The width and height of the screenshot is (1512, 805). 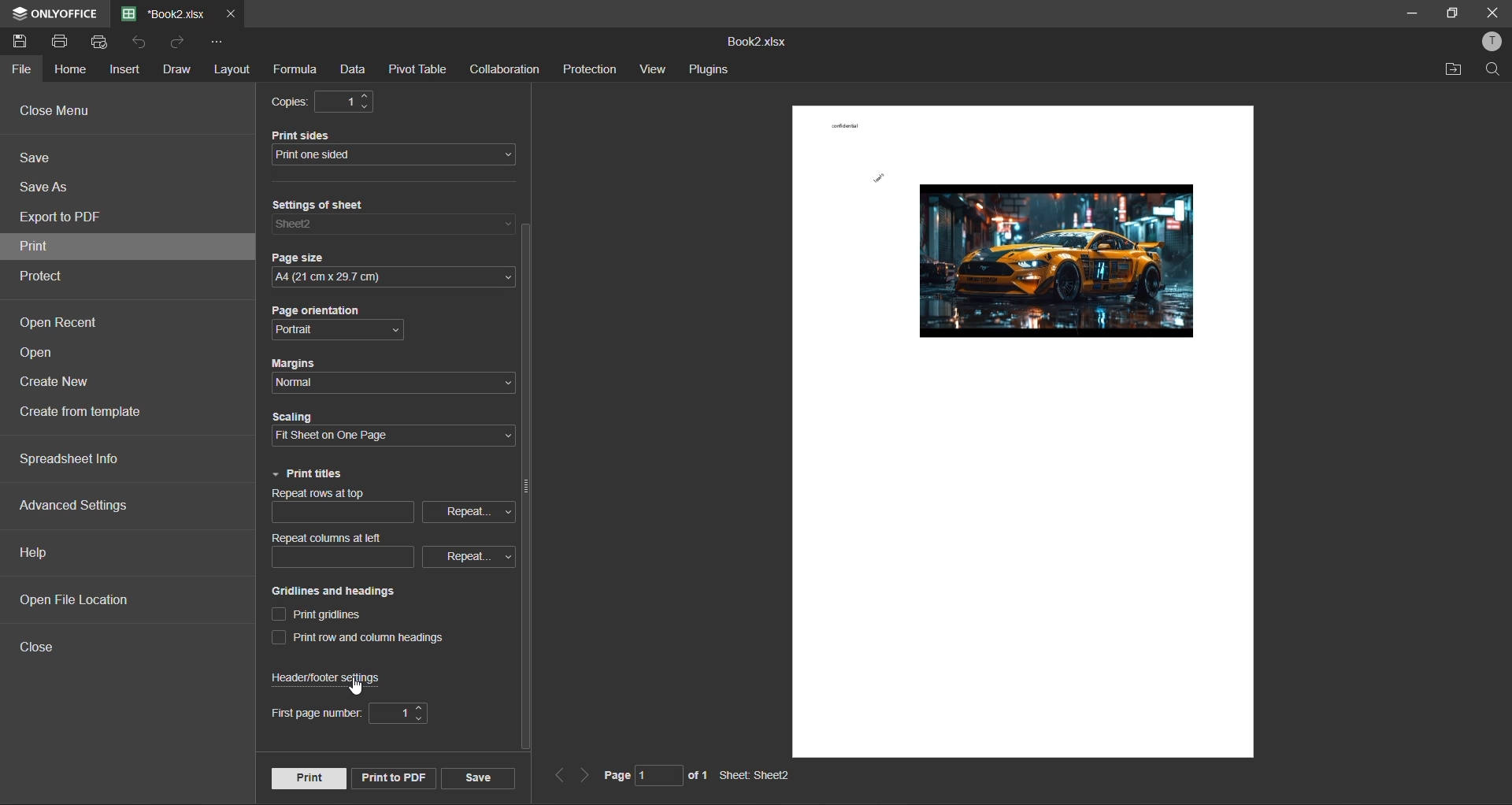 What do you see at coordinates (18, 14) in the screenshot?
I see `icon` at bounding box center [18, 14].